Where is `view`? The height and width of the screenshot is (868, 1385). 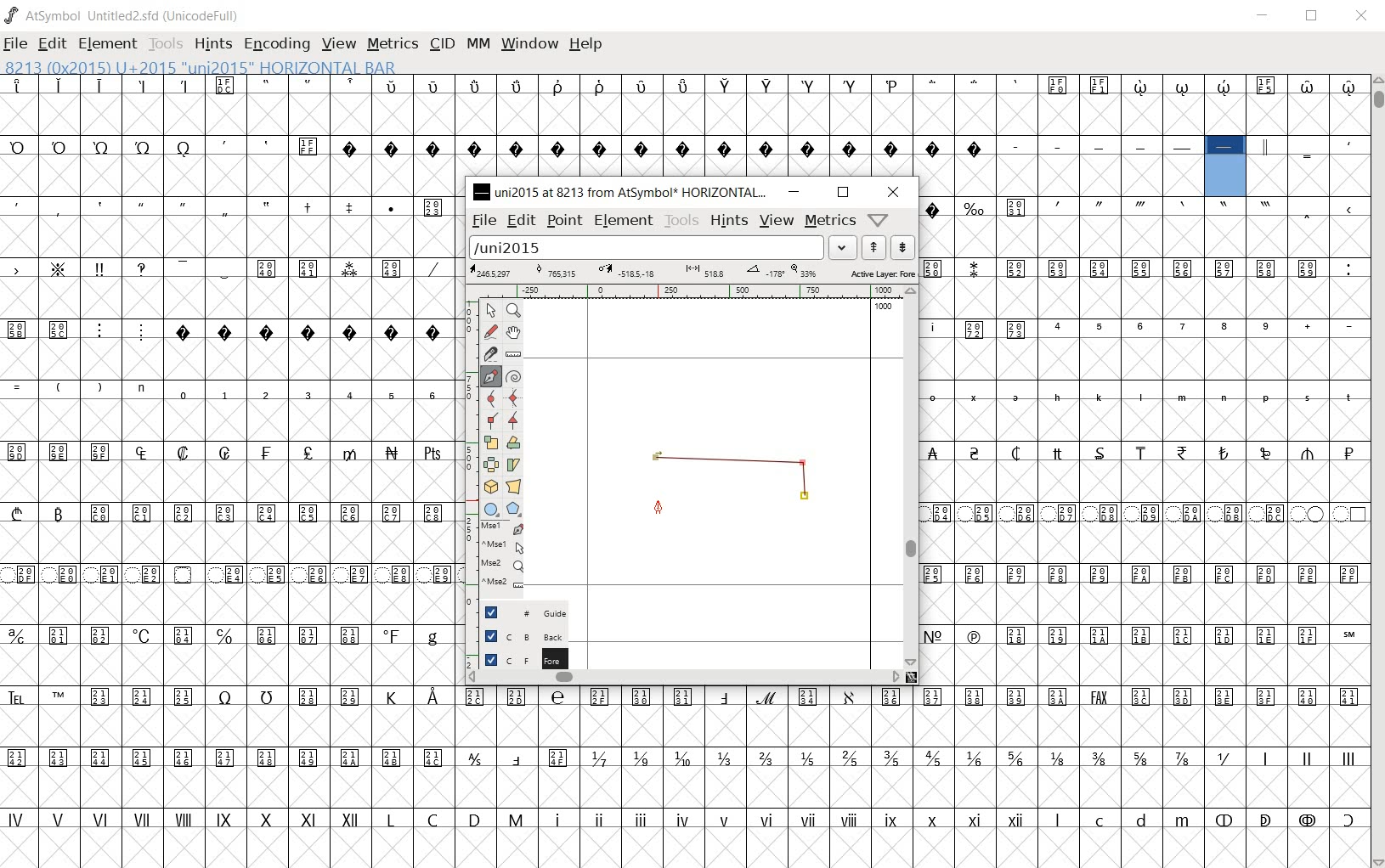
view is located at coordinates (776, 221).